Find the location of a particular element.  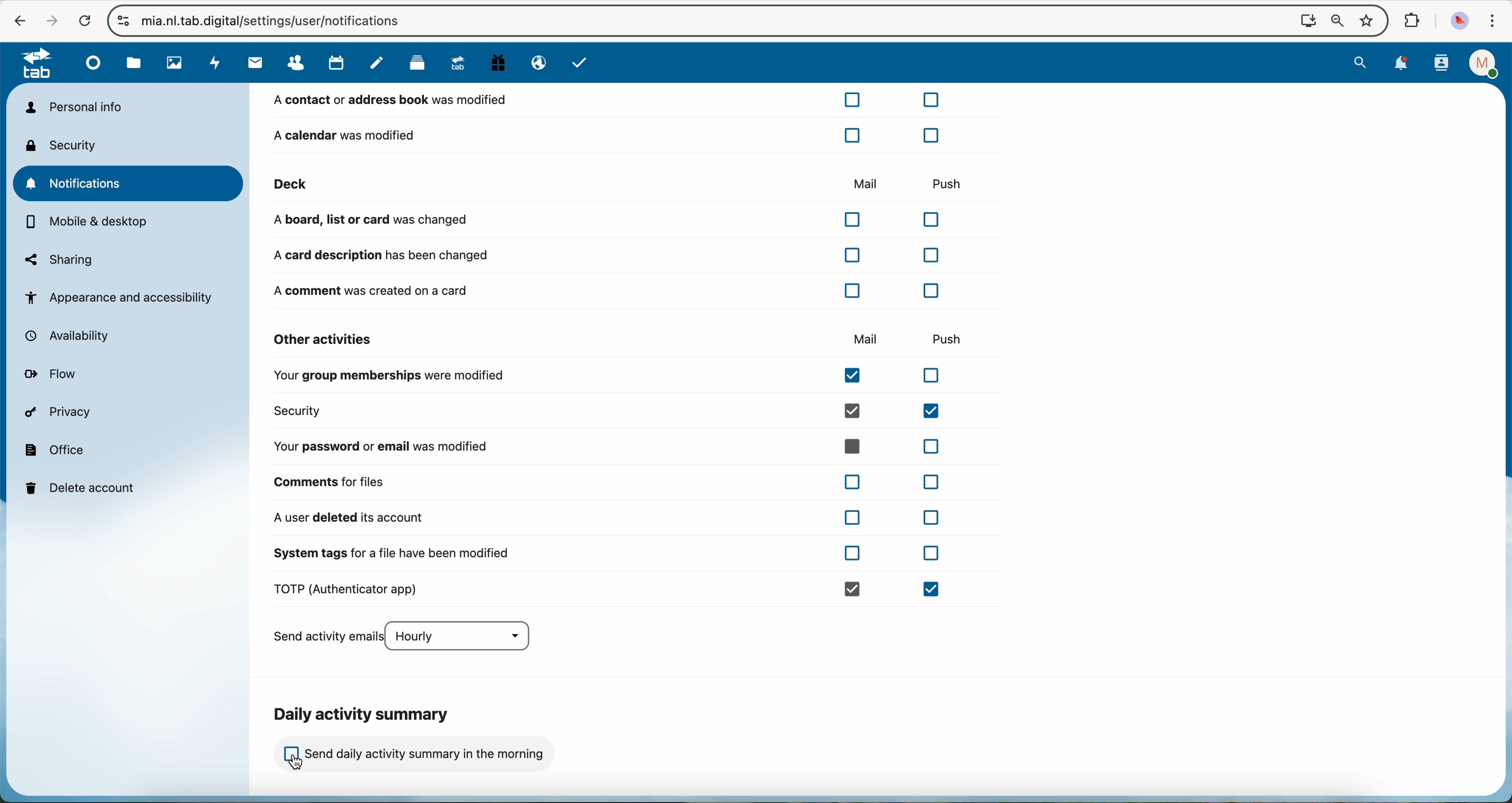

contacts is located at coordinates (299, 63).